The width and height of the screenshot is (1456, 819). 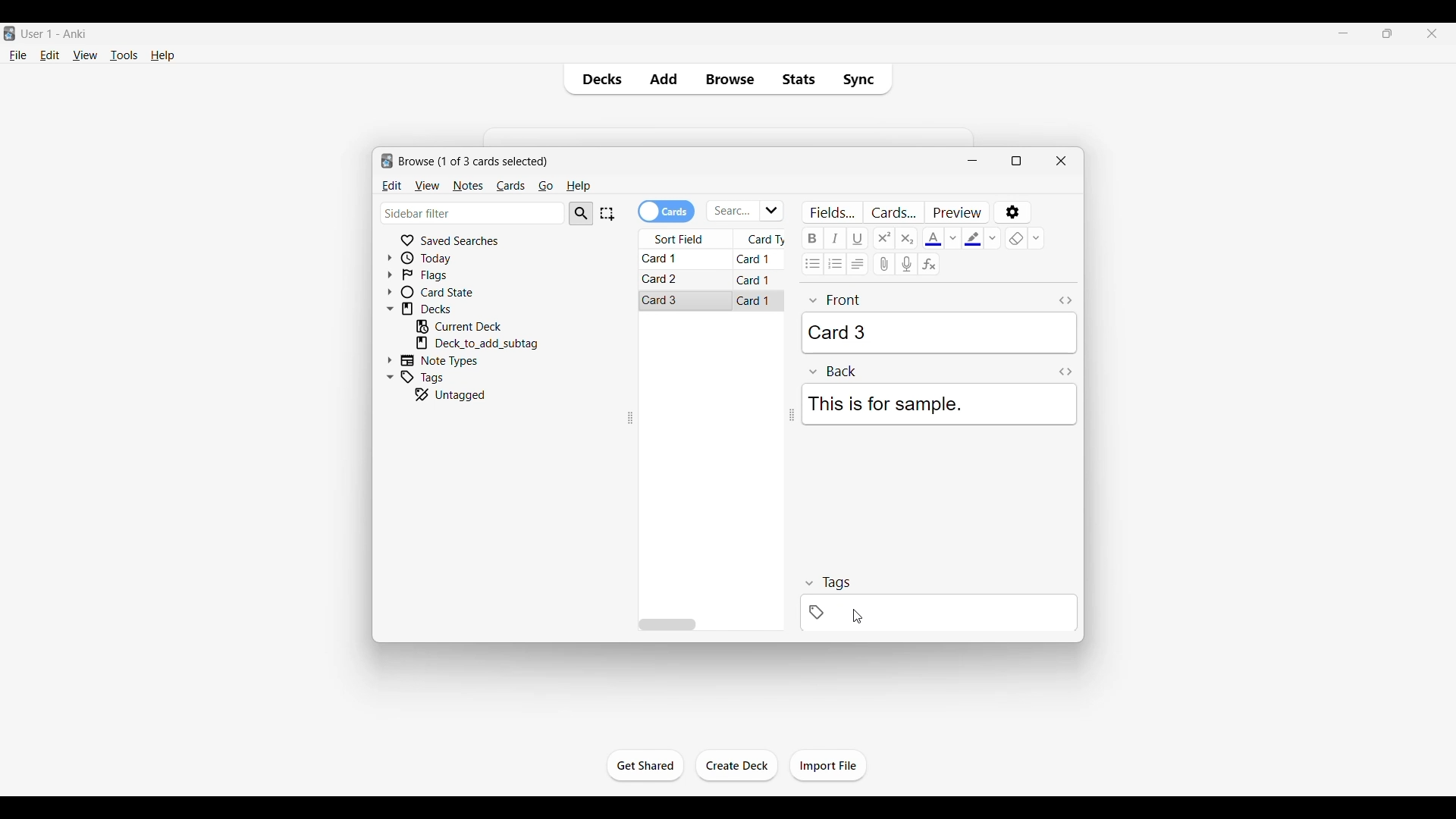 What do you see at coordinates (1065, 301) in the screenshot?
I see `Toggle HTML editor` at bounding box center [1065, 301].